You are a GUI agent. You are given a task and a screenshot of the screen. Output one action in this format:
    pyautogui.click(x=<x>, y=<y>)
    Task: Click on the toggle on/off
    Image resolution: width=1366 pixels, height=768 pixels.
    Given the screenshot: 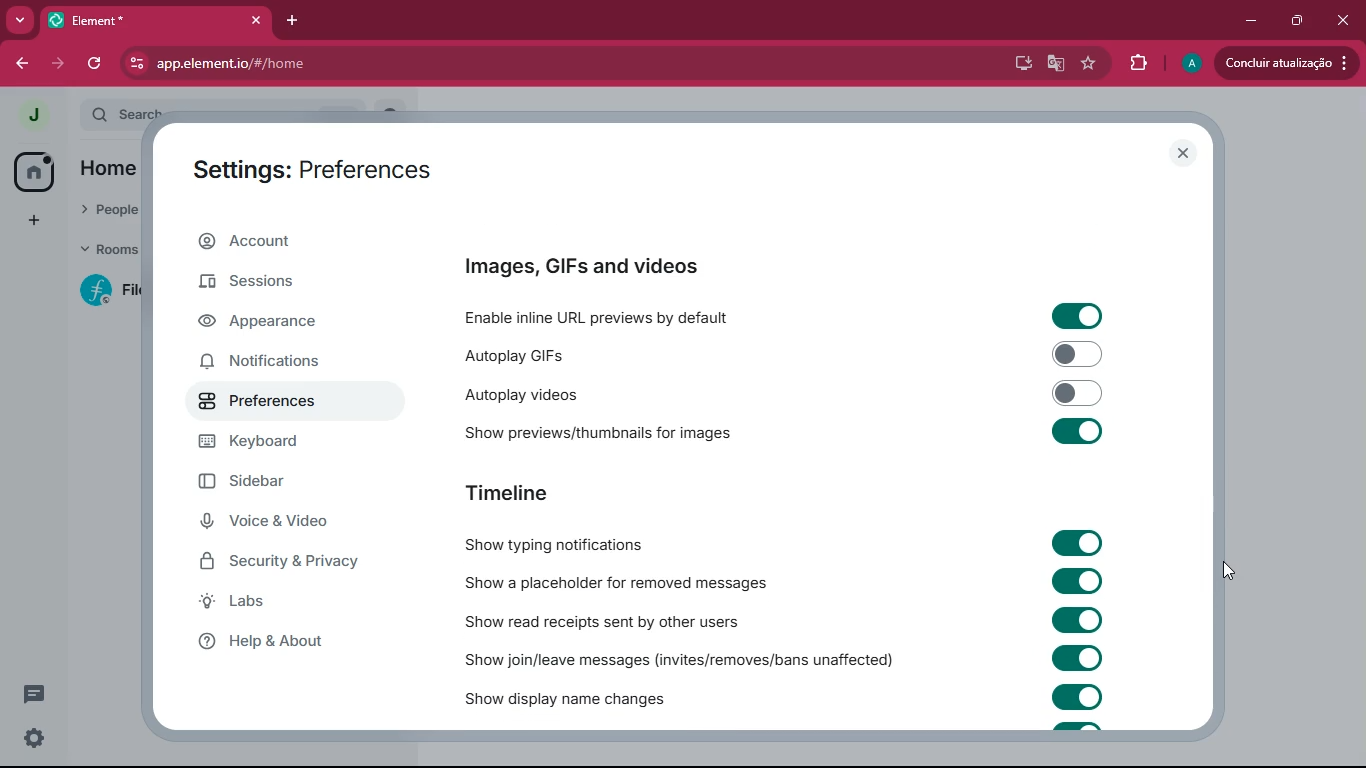 What is the action you would take?
    pyautogui.click(x=1078, y=658)
    